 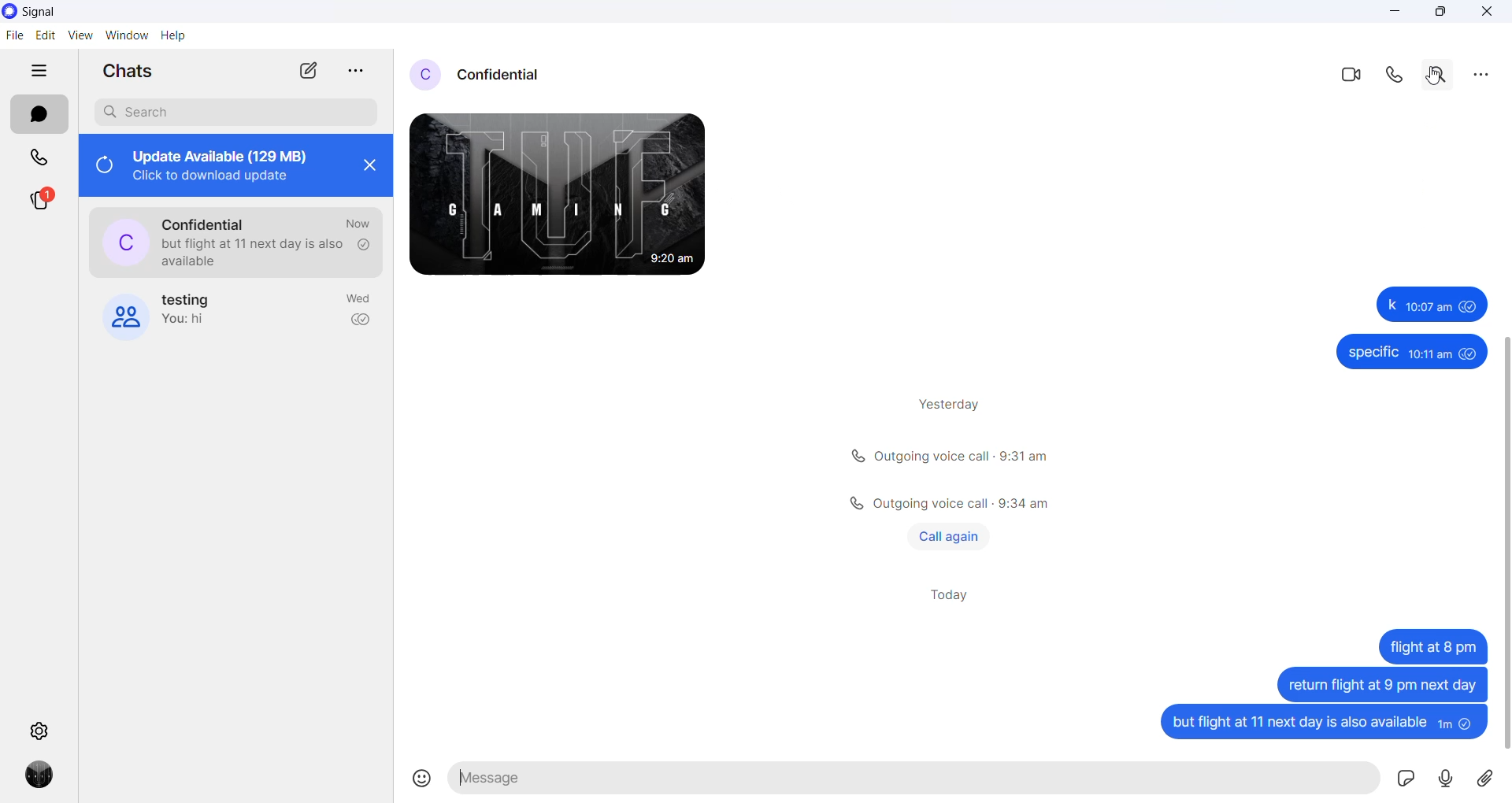 I want to click on received messages , so click(x=574, y=199).